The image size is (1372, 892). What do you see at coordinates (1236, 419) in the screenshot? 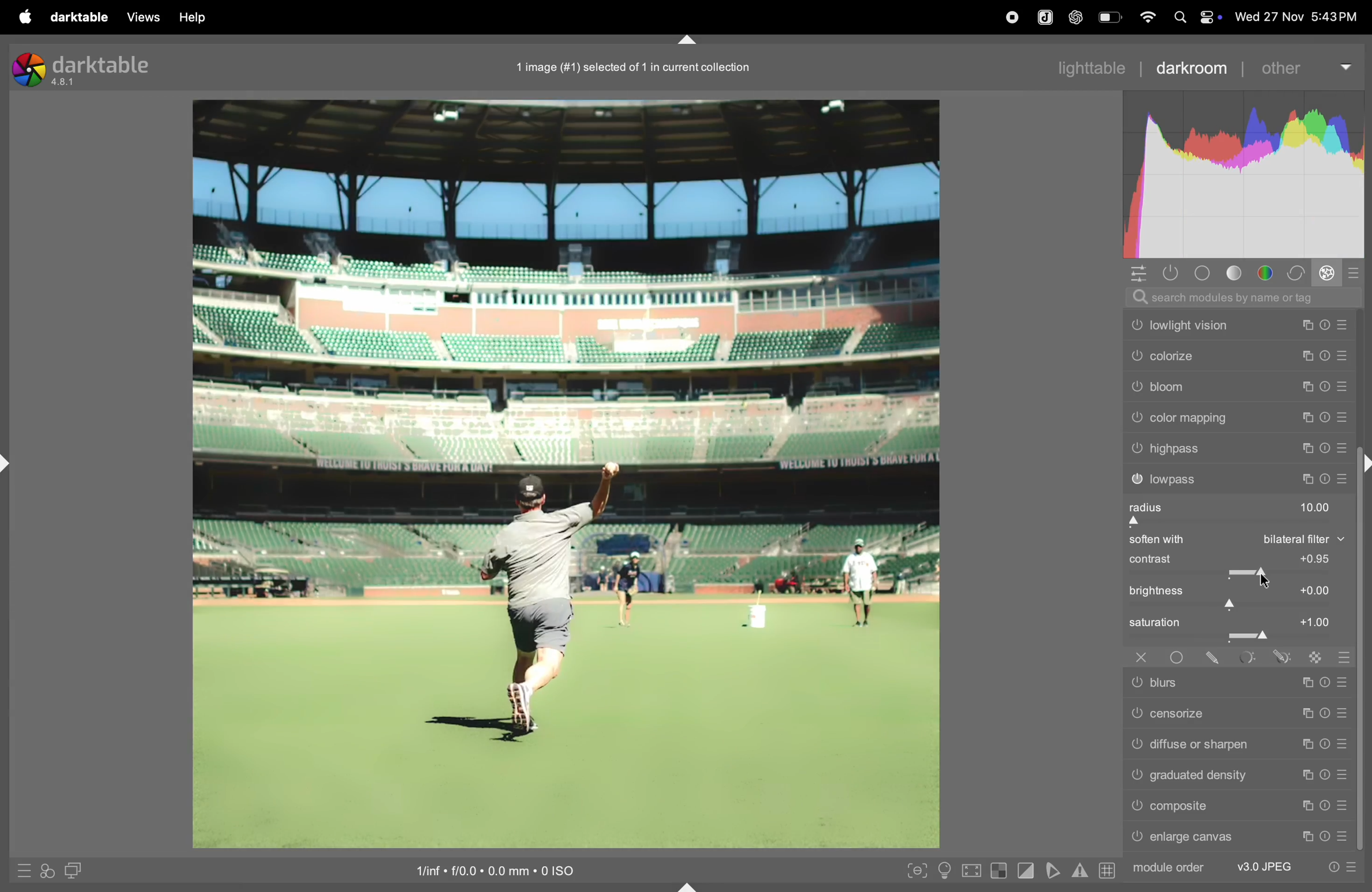
I see `color mapping` at bounding box center [1236, 419].